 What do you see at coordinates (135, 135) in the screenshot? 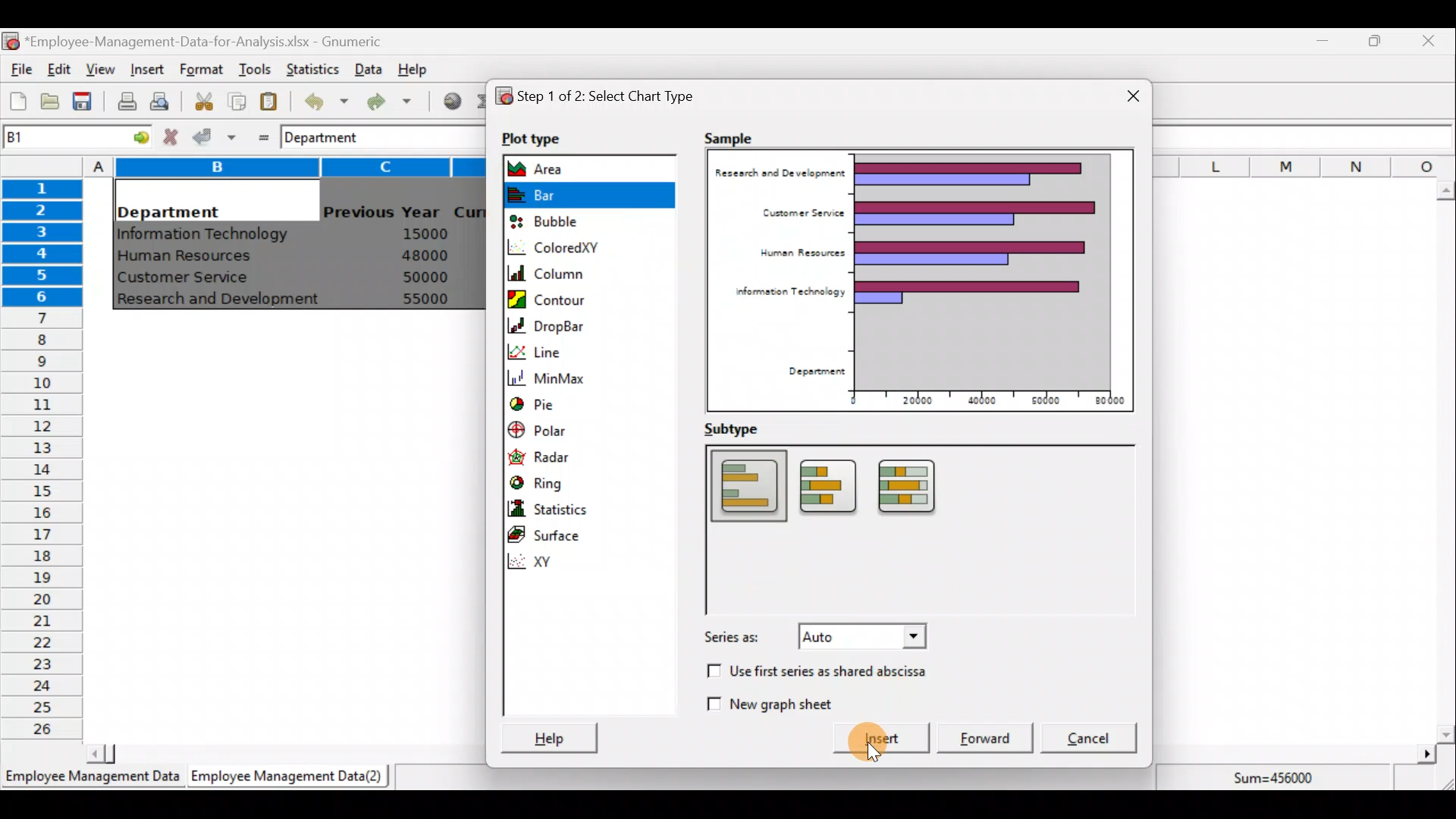
I see `go to` at bounding box center [135, 135].